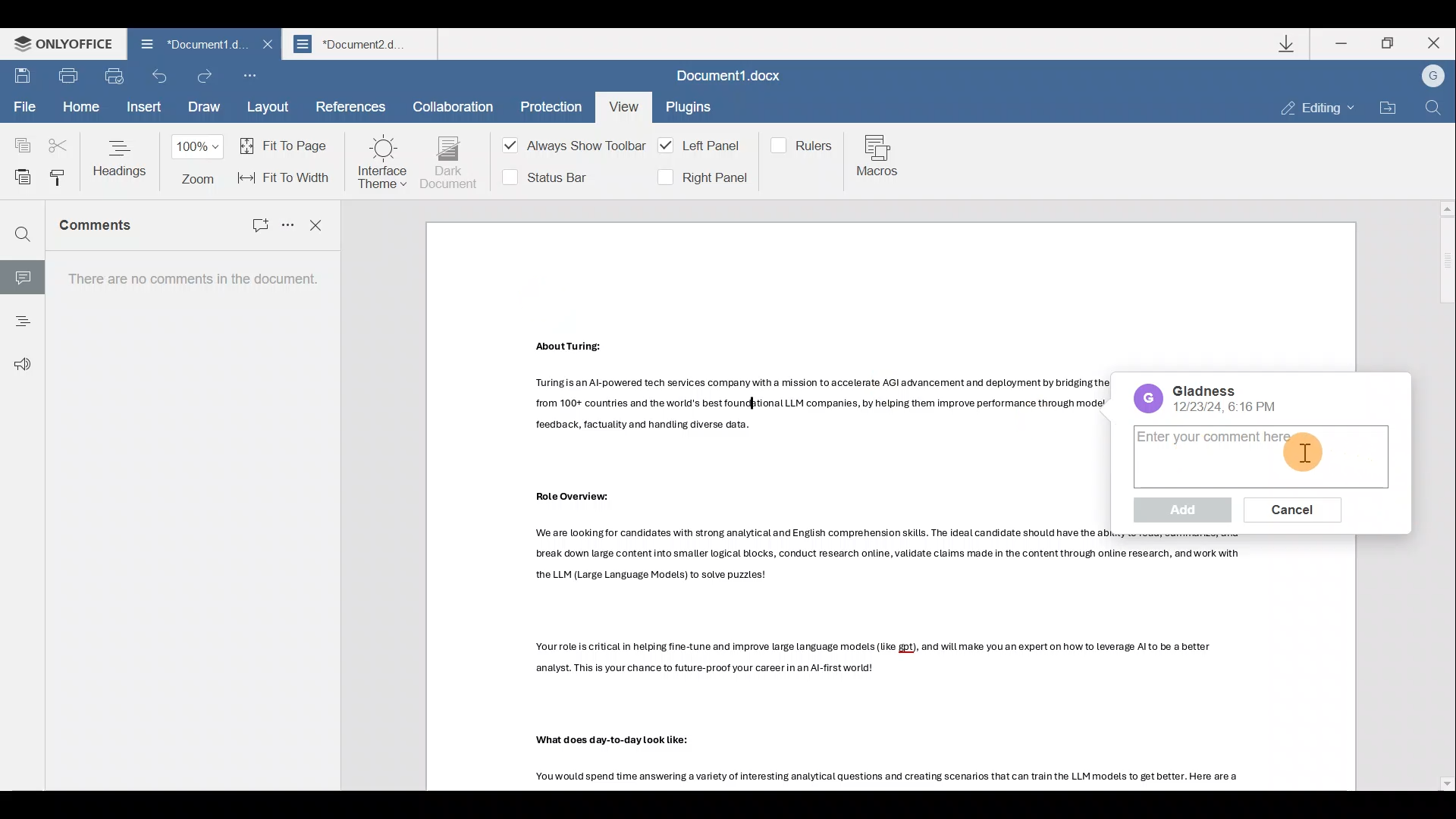 This screenshot has width=1456, height=819. What do you see at coordinates (1305, 454) in the screenshot?
I see `` at bounding box center [1305, 454].